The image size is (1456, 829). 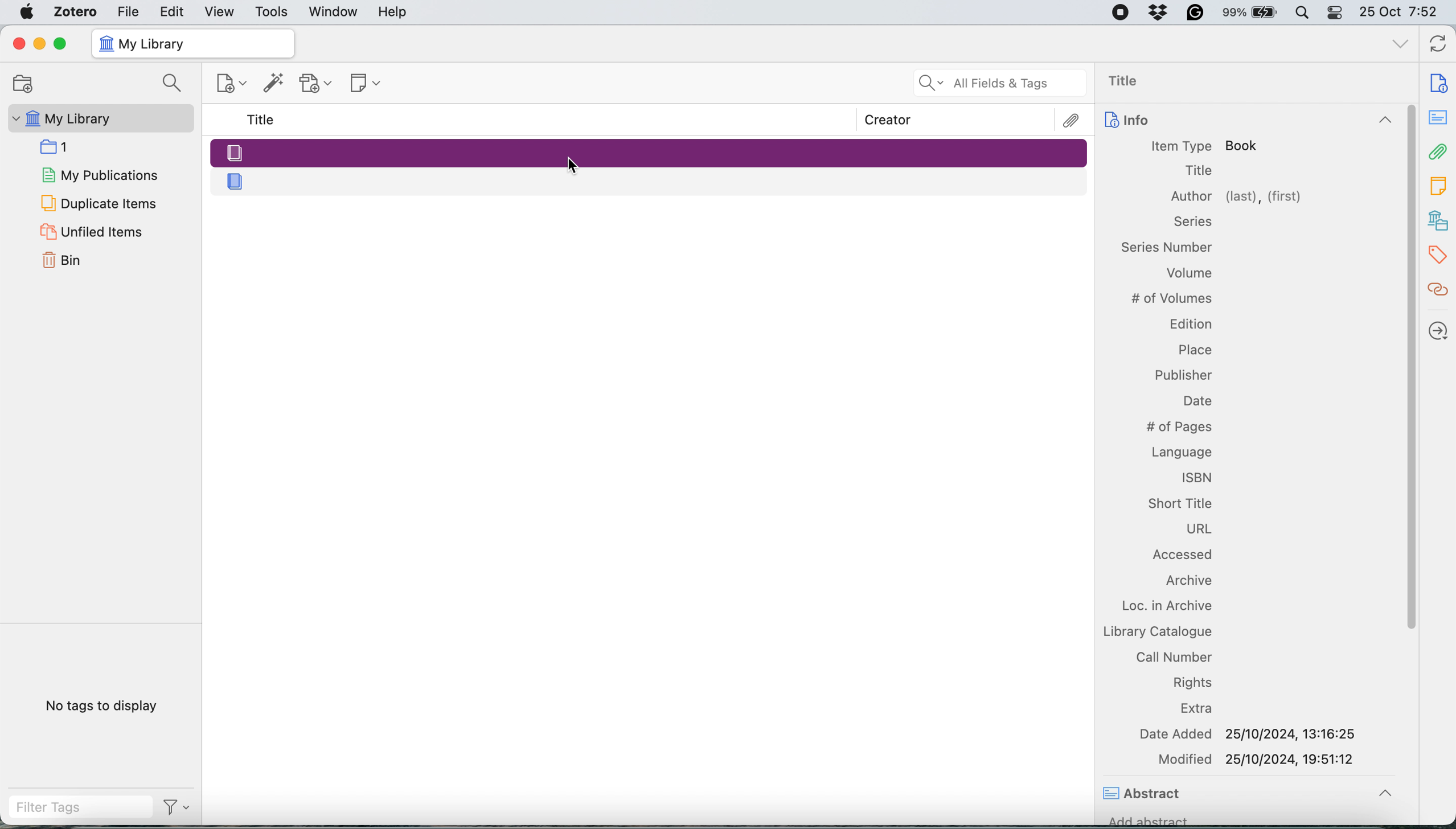 What do you see at coordinates (1199, 709) in the screenshot?
I see `Extra` at bounding box center [1199, 709].